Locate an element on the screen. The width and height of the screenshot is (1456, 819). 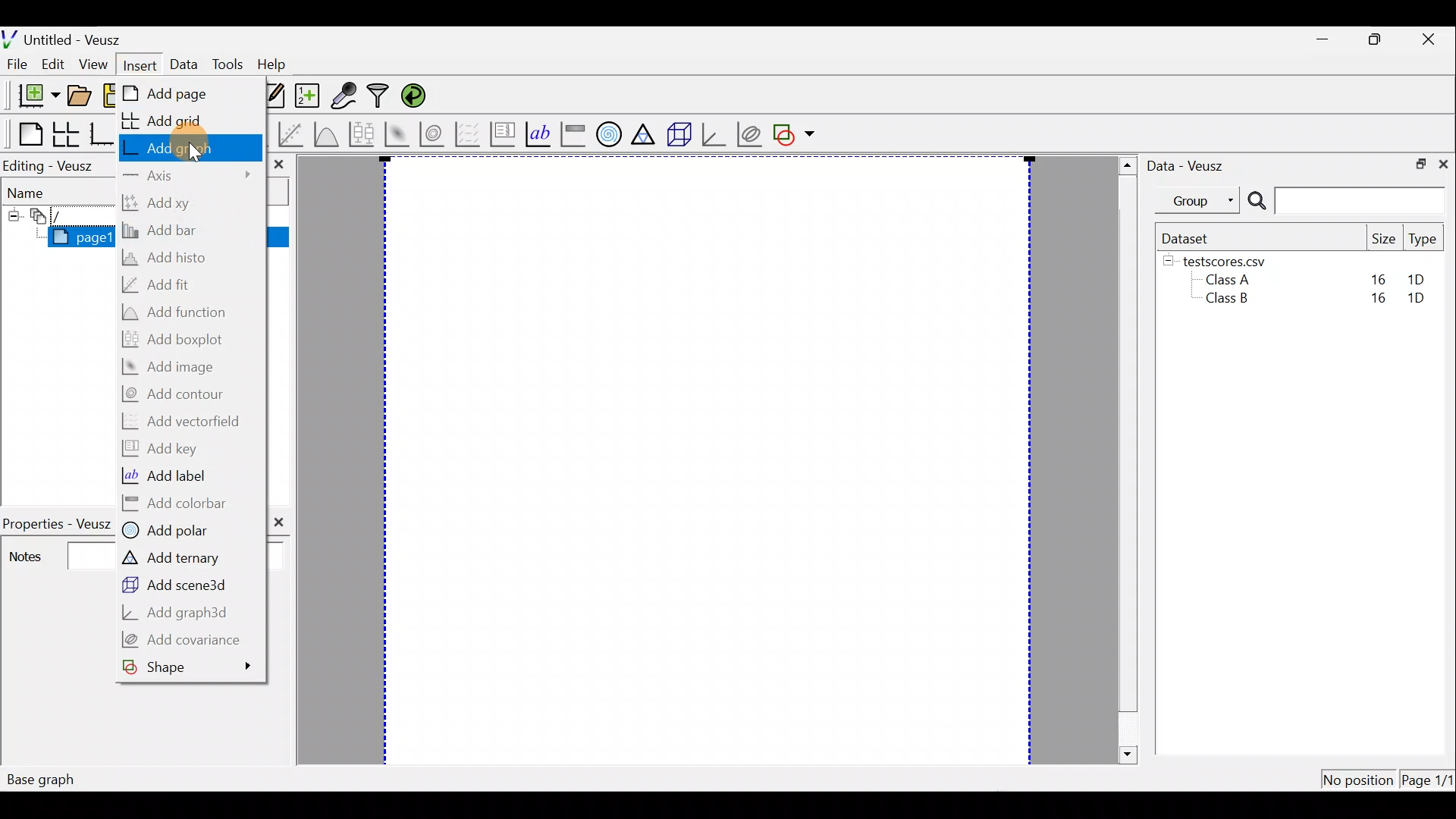
1D is located at coordinates (1418, 279).